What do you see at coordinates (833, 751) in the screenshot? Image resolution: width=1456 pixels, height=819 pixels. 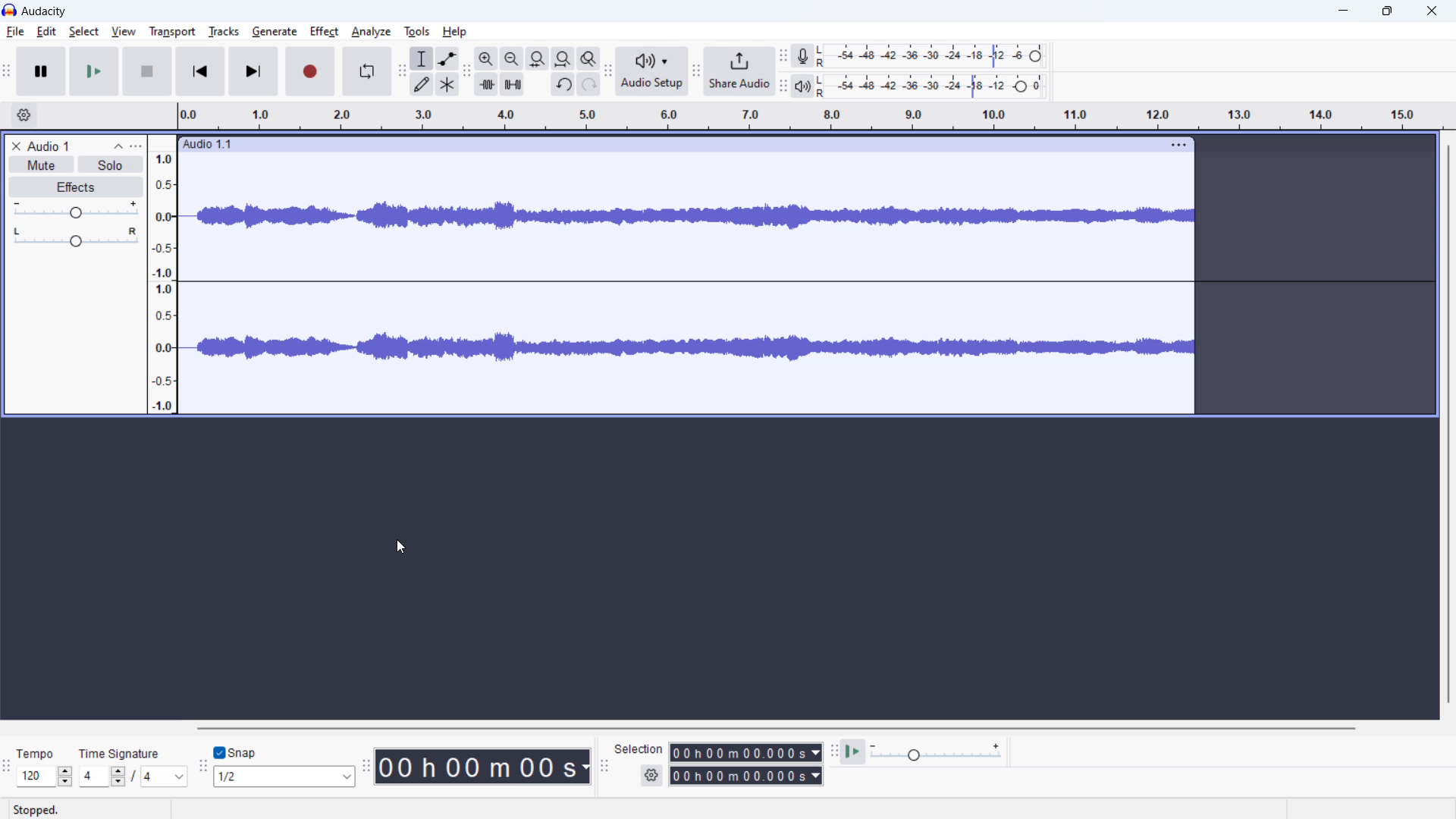 I see `play at speed toolbar` at bounding box center [833, 751].